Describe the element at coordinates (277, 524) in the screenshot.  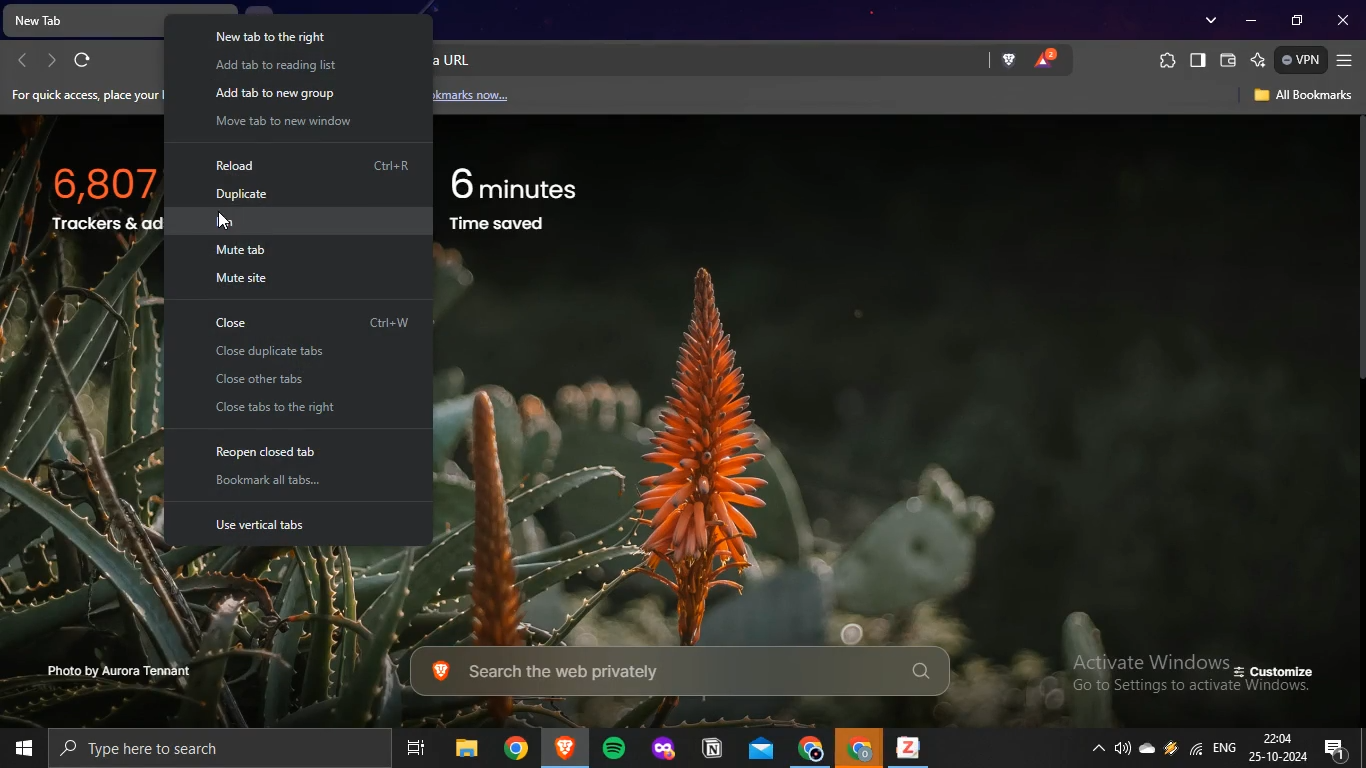
I see `use vertical tabs` at that location.